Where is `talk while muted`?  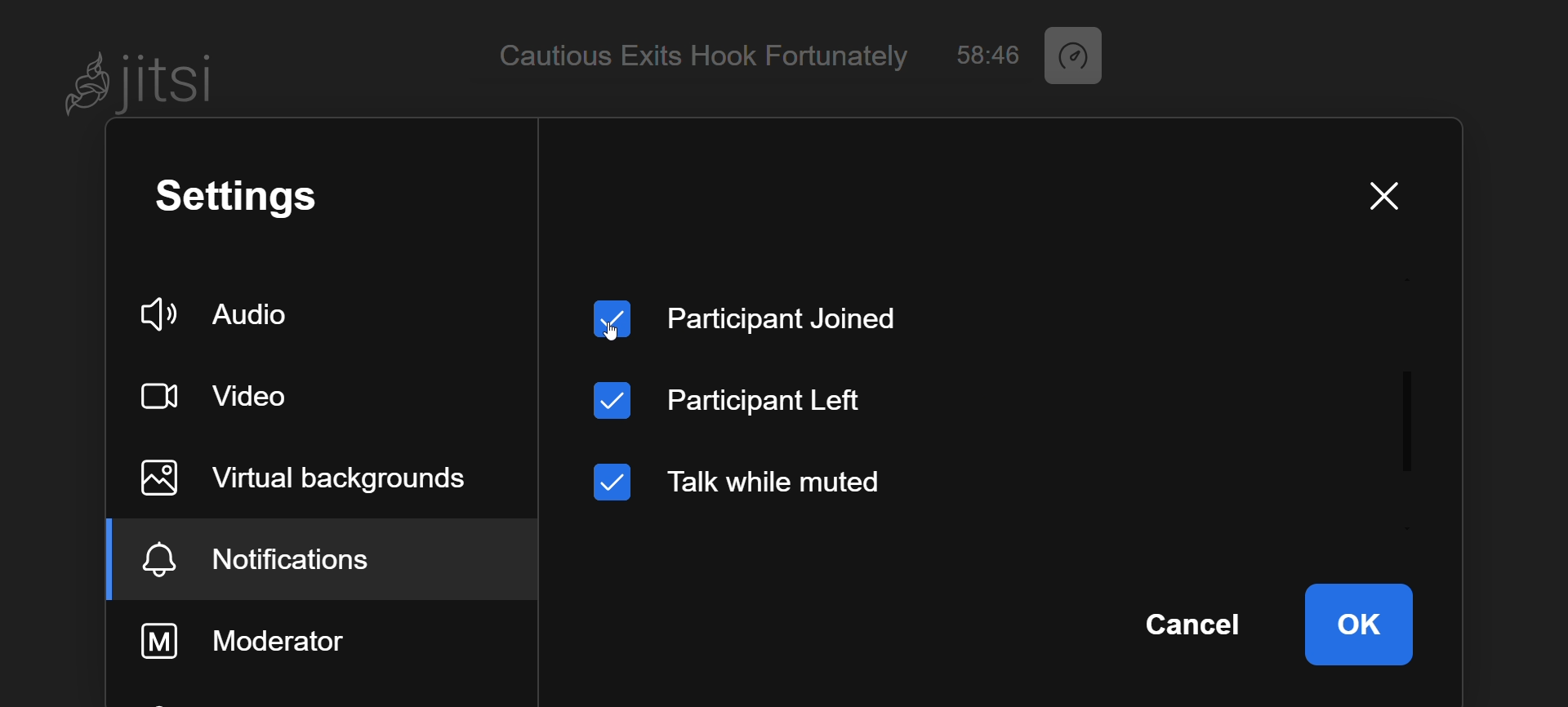 talk while muted is located at coordinates (760, 481).